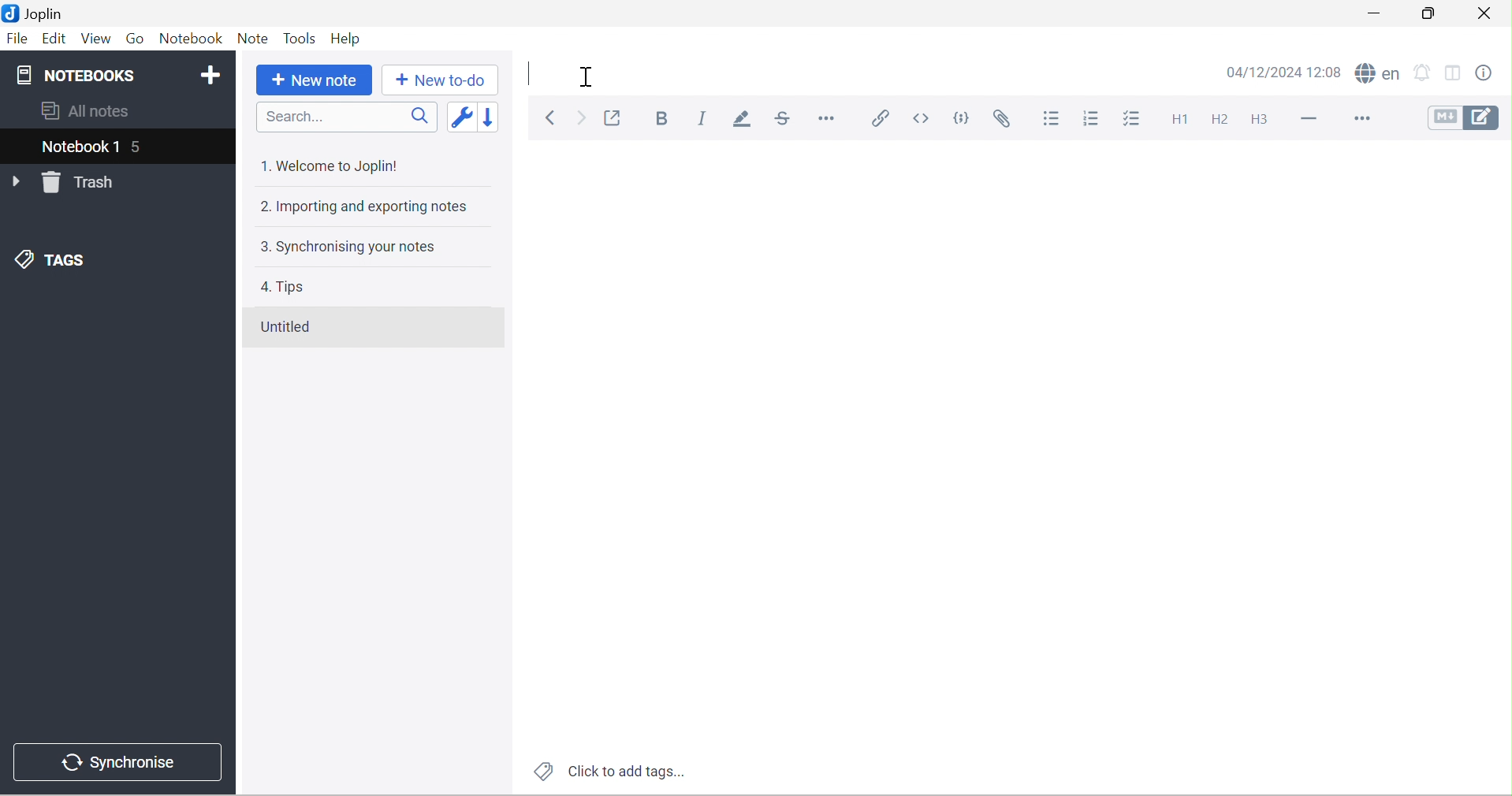 This screenshot has height=796, width=1512. What do you see at coordinates (830, 121) in the screenshot?
I see `Horizontal` at bounding box center [830, 121].